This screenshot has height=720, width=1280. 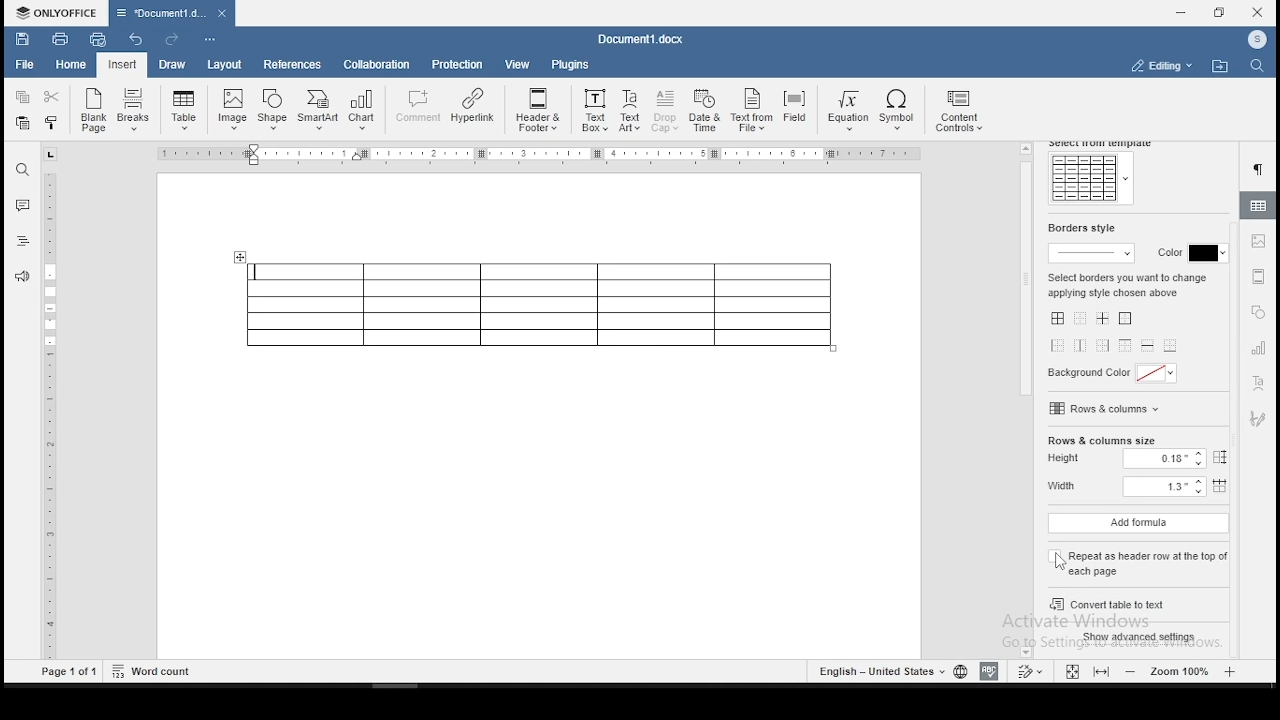 I want to click on show advanced settings, so click(x=1142, y=638).